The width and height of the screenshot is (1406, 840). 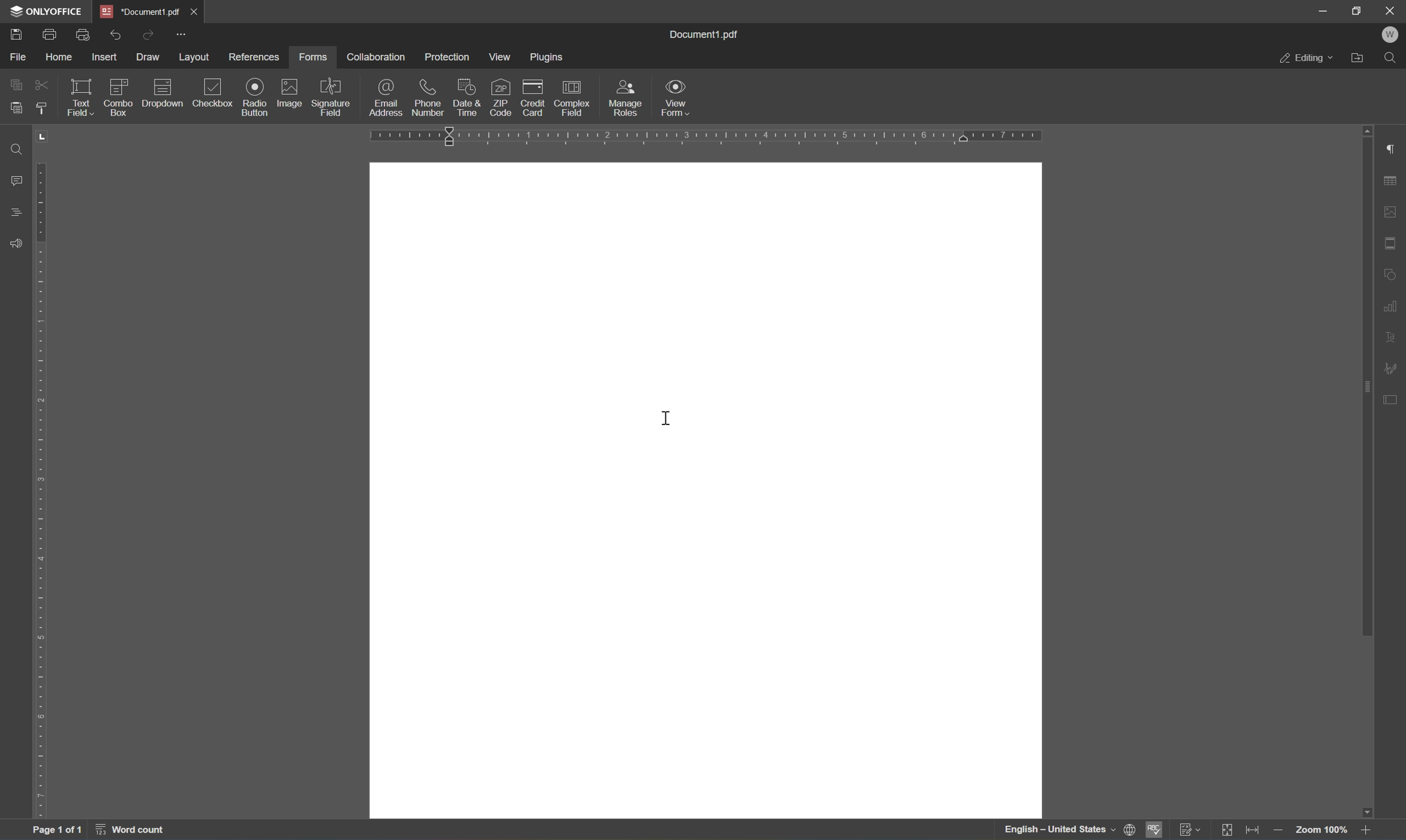 What do you see at coordinates (1356, 58) in the screenshot?
I see `open file location` at bounding box center [1356, 58].